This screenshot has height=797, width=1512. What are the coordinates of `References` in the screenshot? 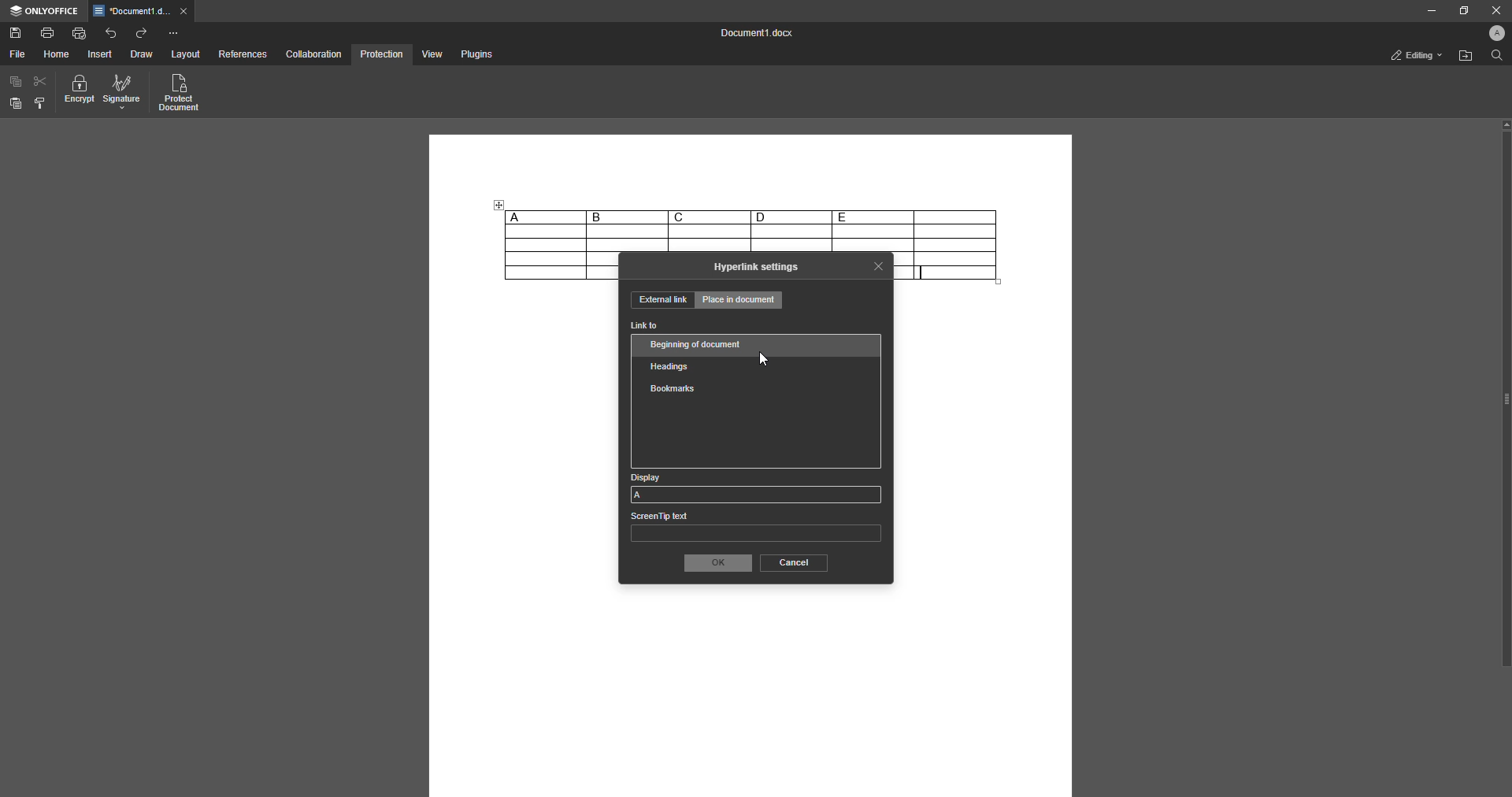 It's located at (242, 55).